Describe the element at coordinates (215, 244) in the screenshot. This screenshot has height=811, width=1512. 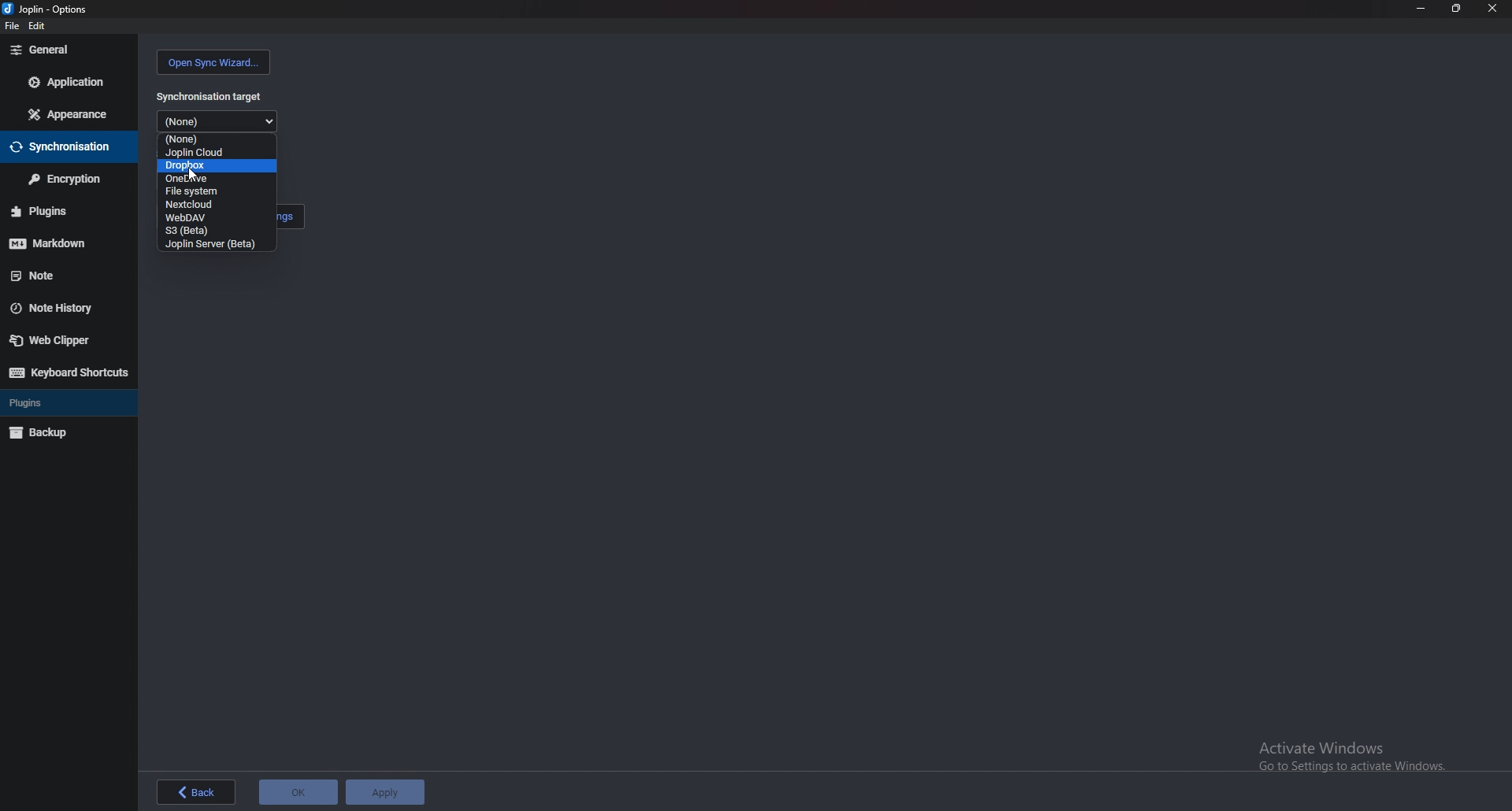
I see `joplin server` at that location.